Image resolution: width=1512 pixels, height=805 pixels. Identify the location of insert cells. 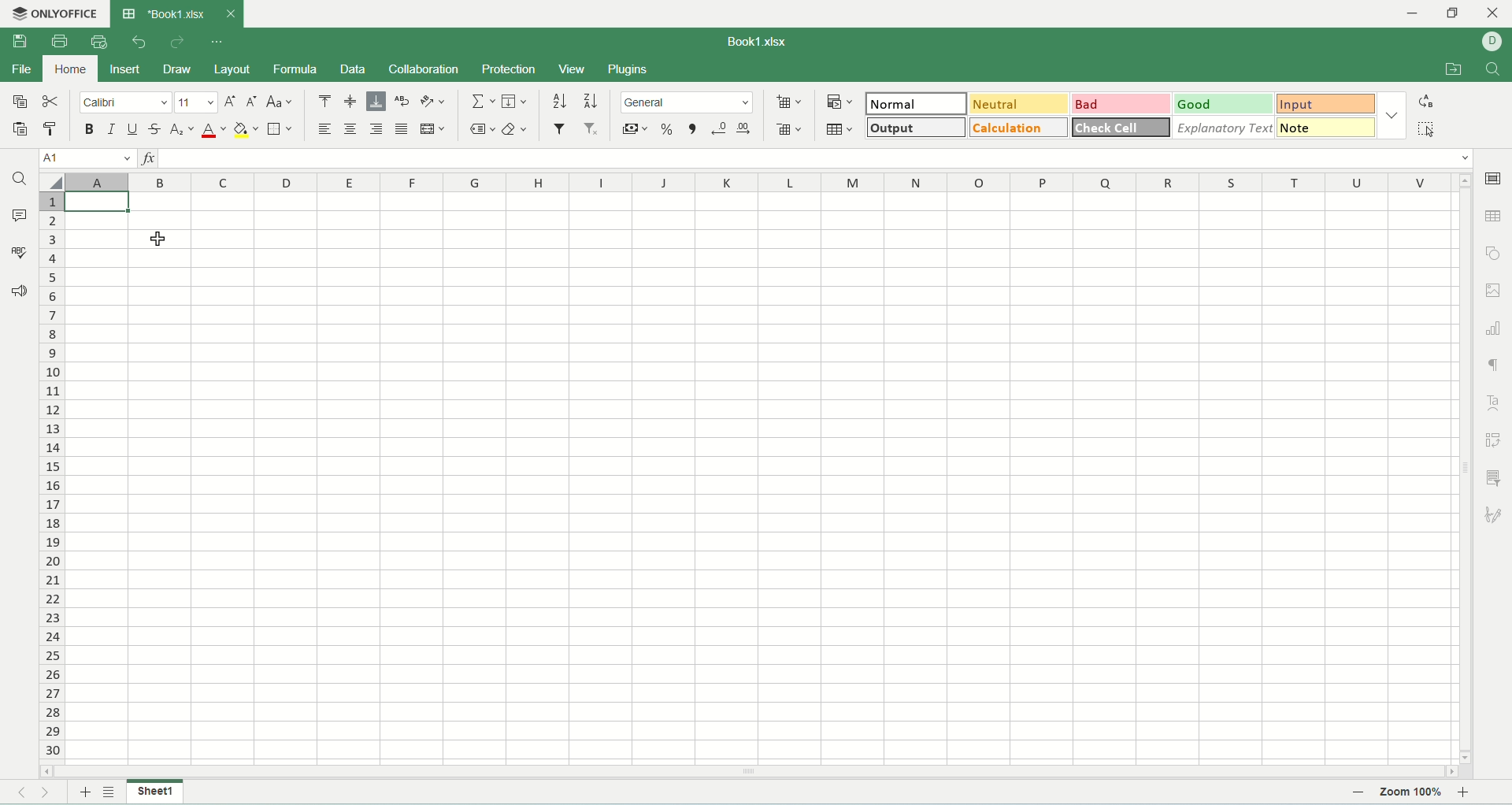
(787, 103).